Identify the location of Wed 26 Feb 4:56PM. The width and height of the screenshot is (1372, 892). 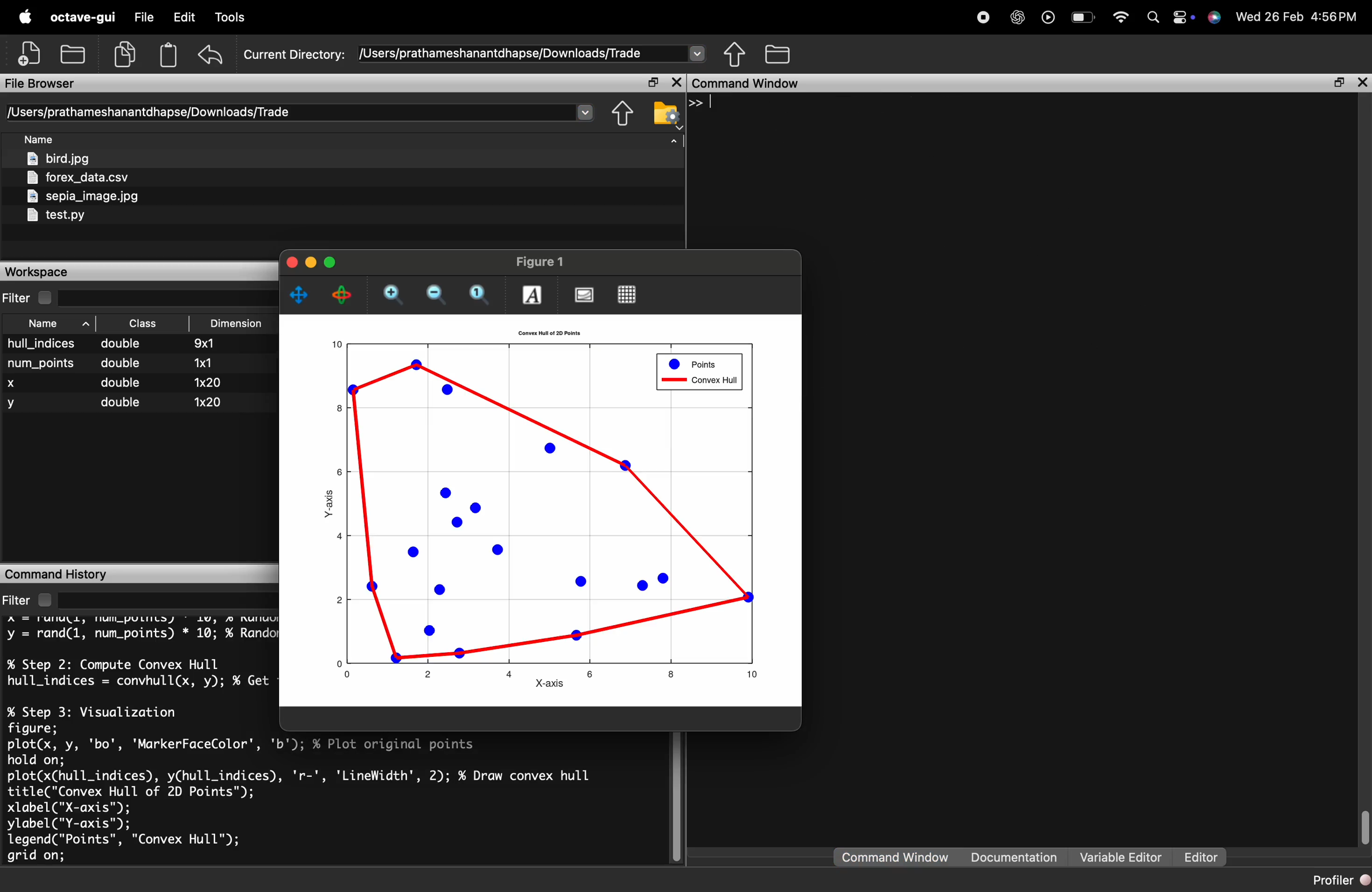
(1297, 17).